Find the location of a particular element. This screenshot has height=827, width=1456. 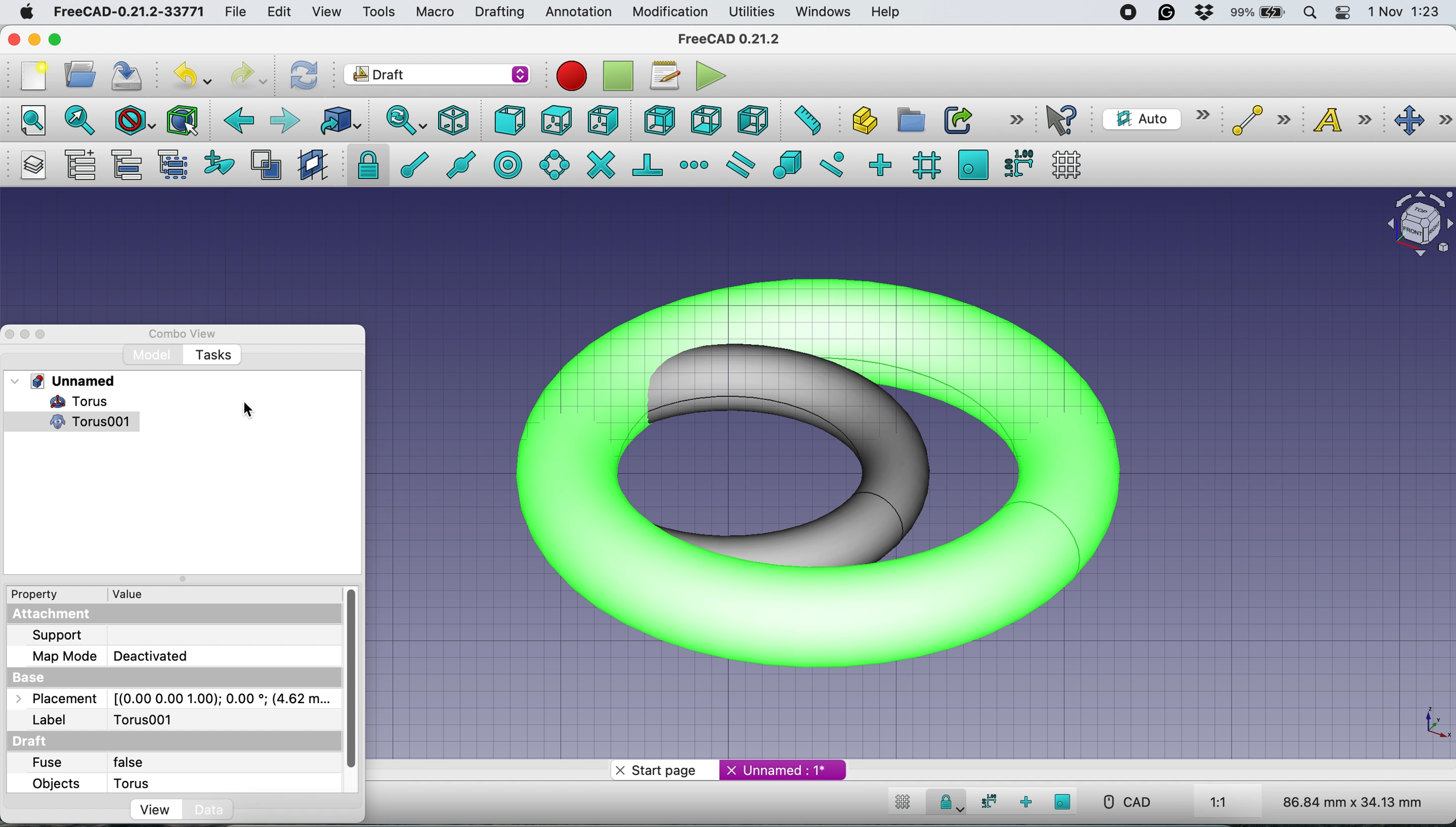

fit all is located at coordinates (30, 122).